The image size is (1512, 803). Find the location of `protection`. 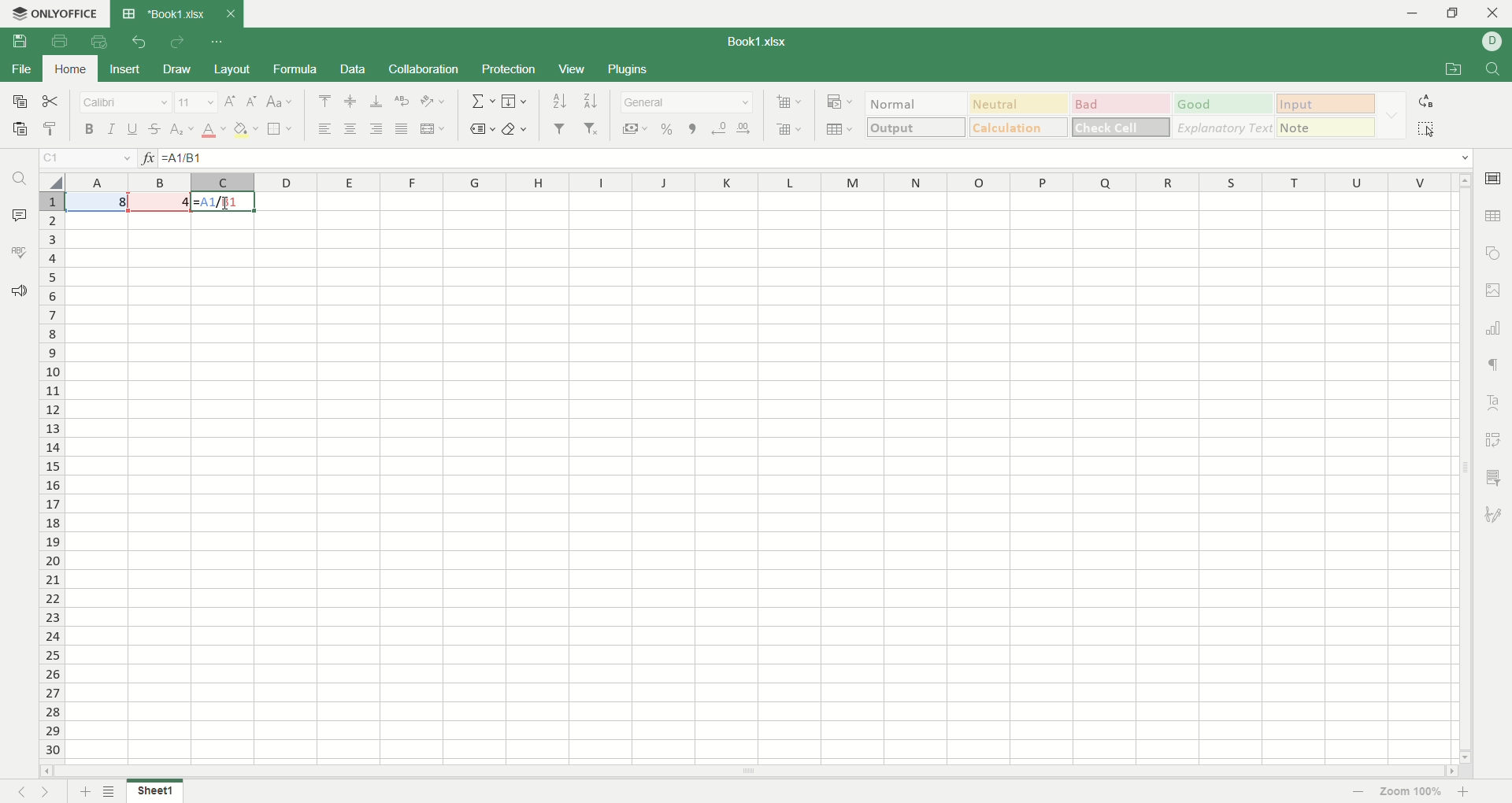

protection is located at coordinates (510, 71).